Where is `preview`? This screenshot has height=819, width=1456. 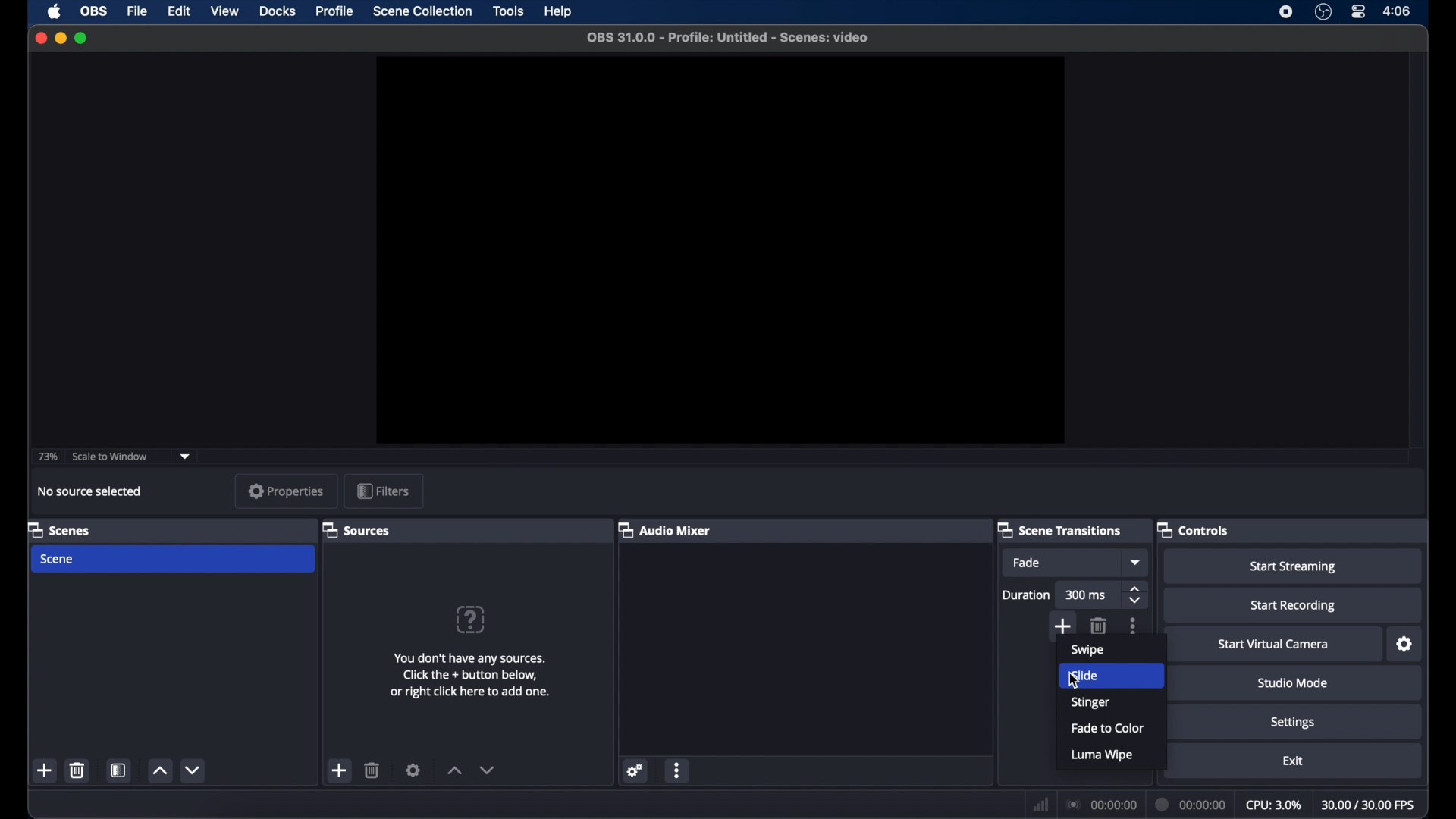
preview is located at coordinates (720, 250).